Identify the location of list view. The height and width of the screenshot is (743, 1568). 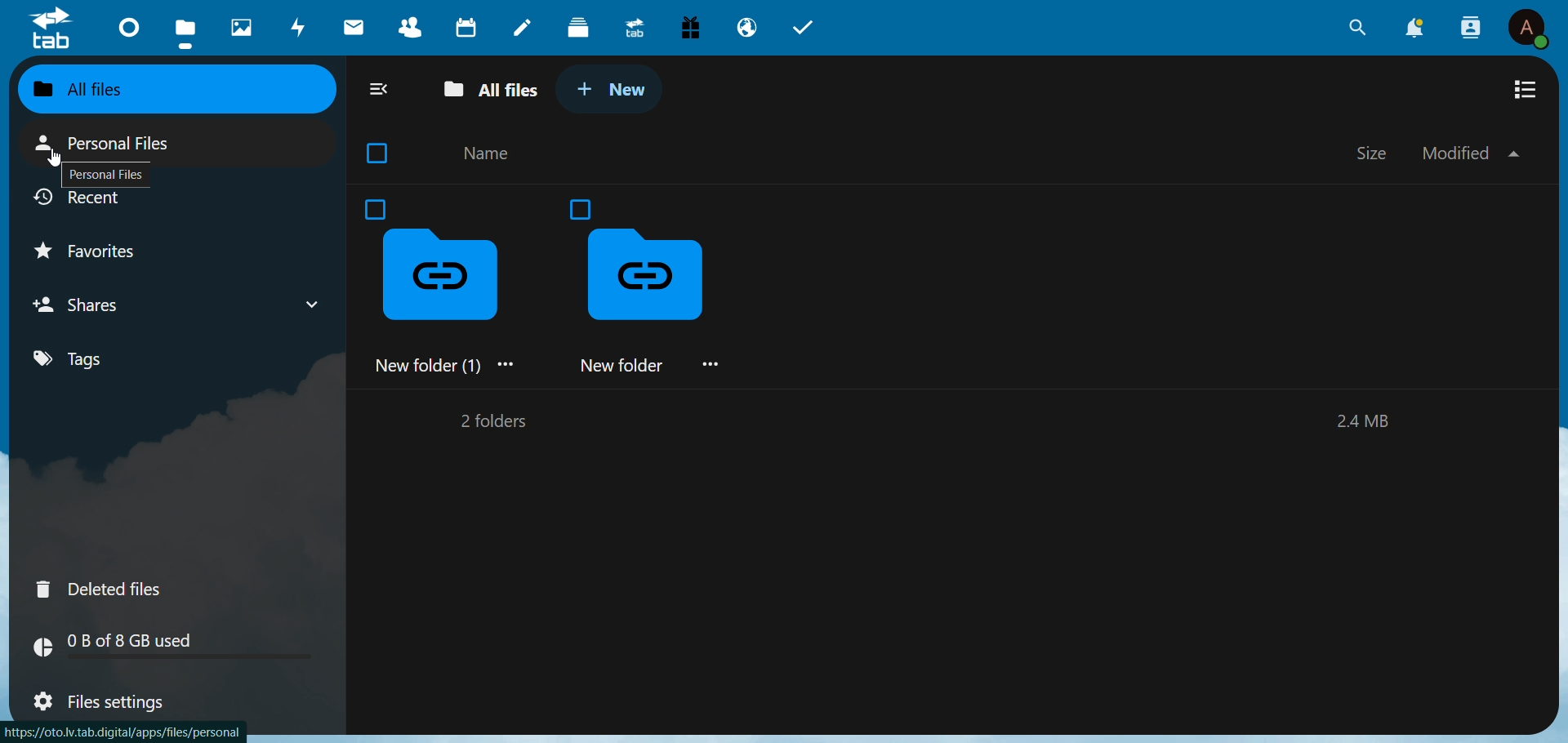
(1528, 90).